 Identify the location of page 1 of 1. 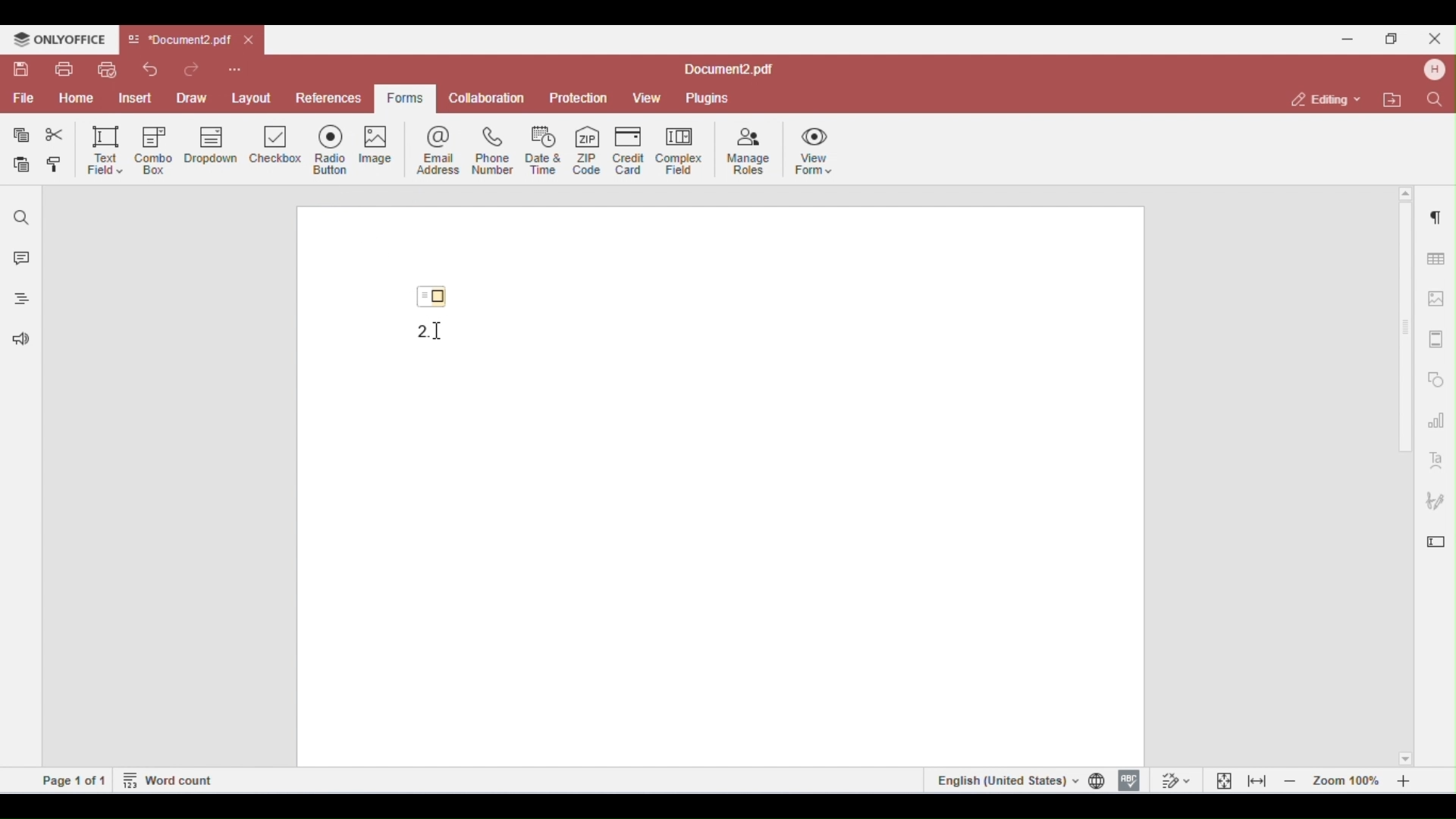
(74, 780).